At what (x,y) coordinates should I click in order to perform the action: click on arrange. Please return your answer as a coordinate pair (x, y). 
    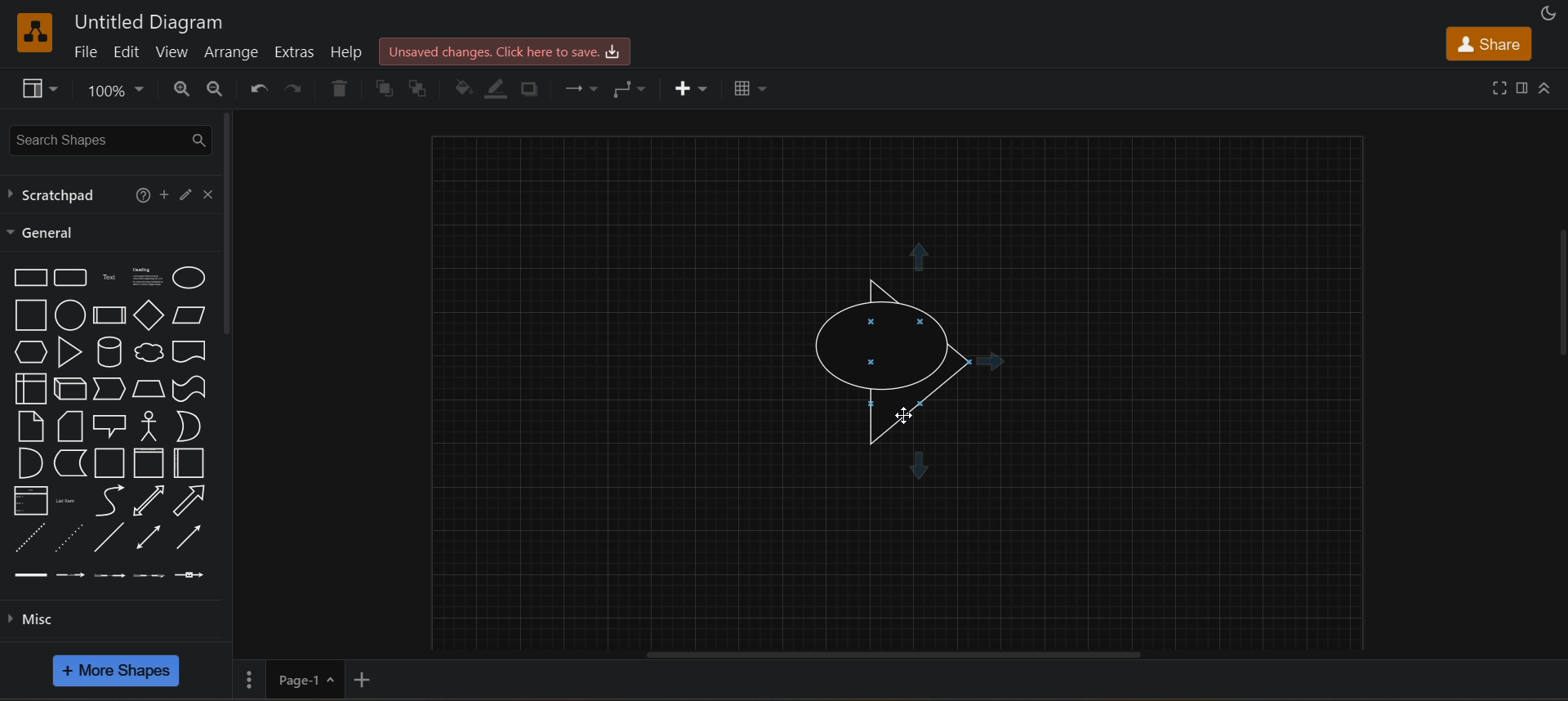
    Looking at the image, I should click on (234, 52).